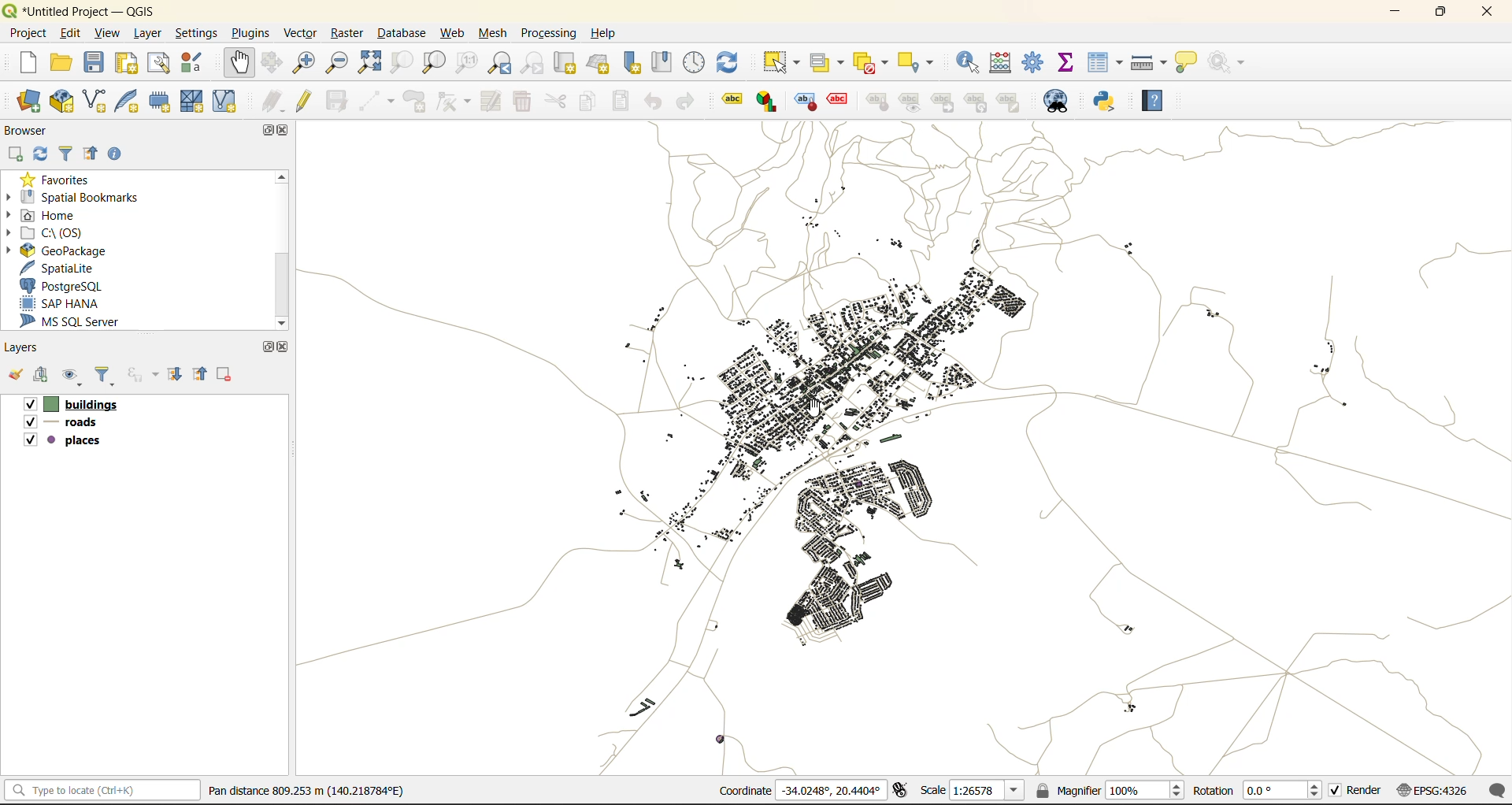 This screenshot has width=1512, height=805. Describe the element at coordinates (1441, 15) in the screenshot. I see `maximize` at that location.